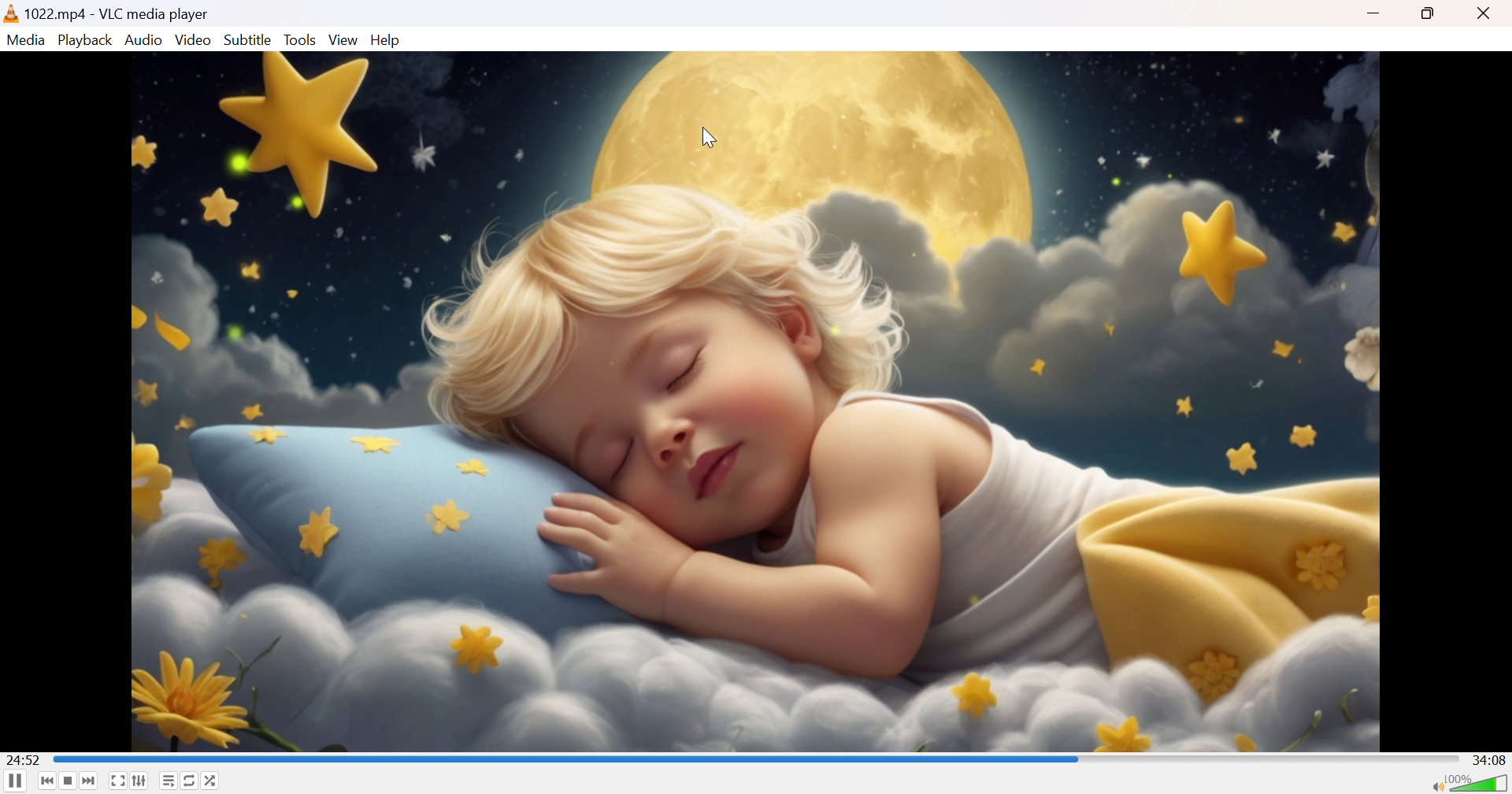 The image size is (1512, 794). Describe the element at coordinates (248, 39) in the screenshot. I see `Subtitle` at that location.